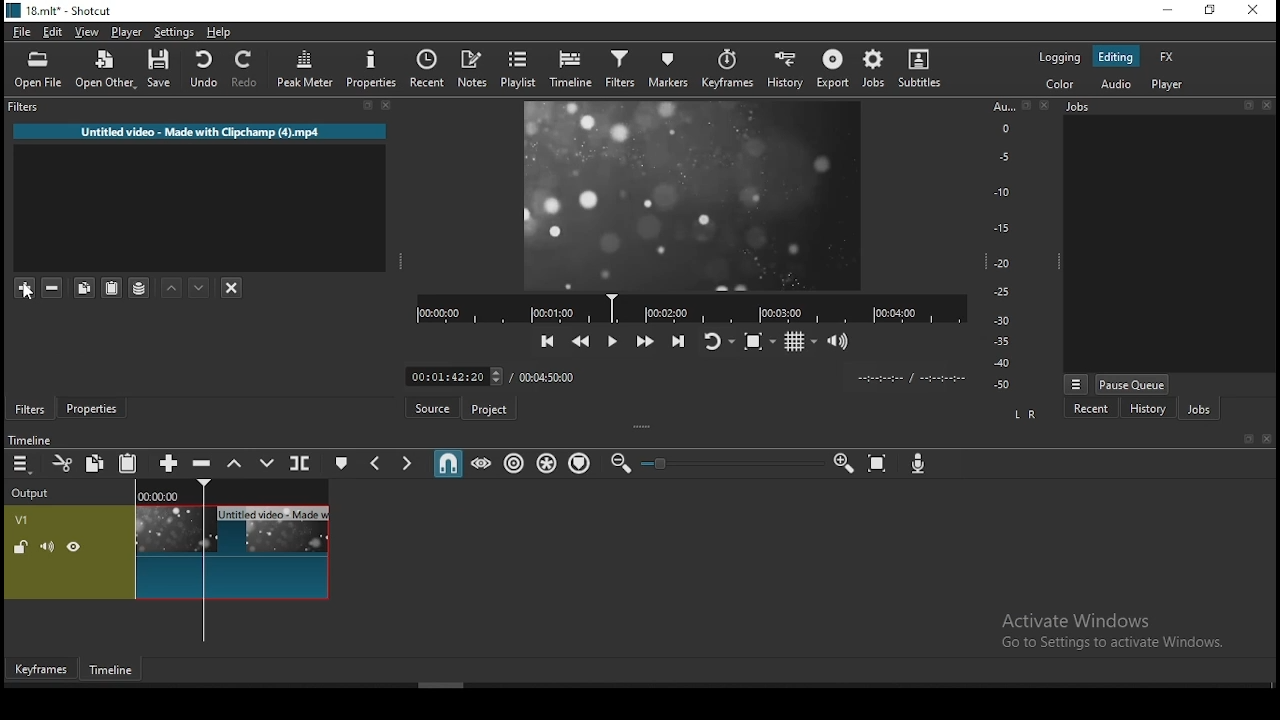  I want to click on Frame Time, so click(454, 375).